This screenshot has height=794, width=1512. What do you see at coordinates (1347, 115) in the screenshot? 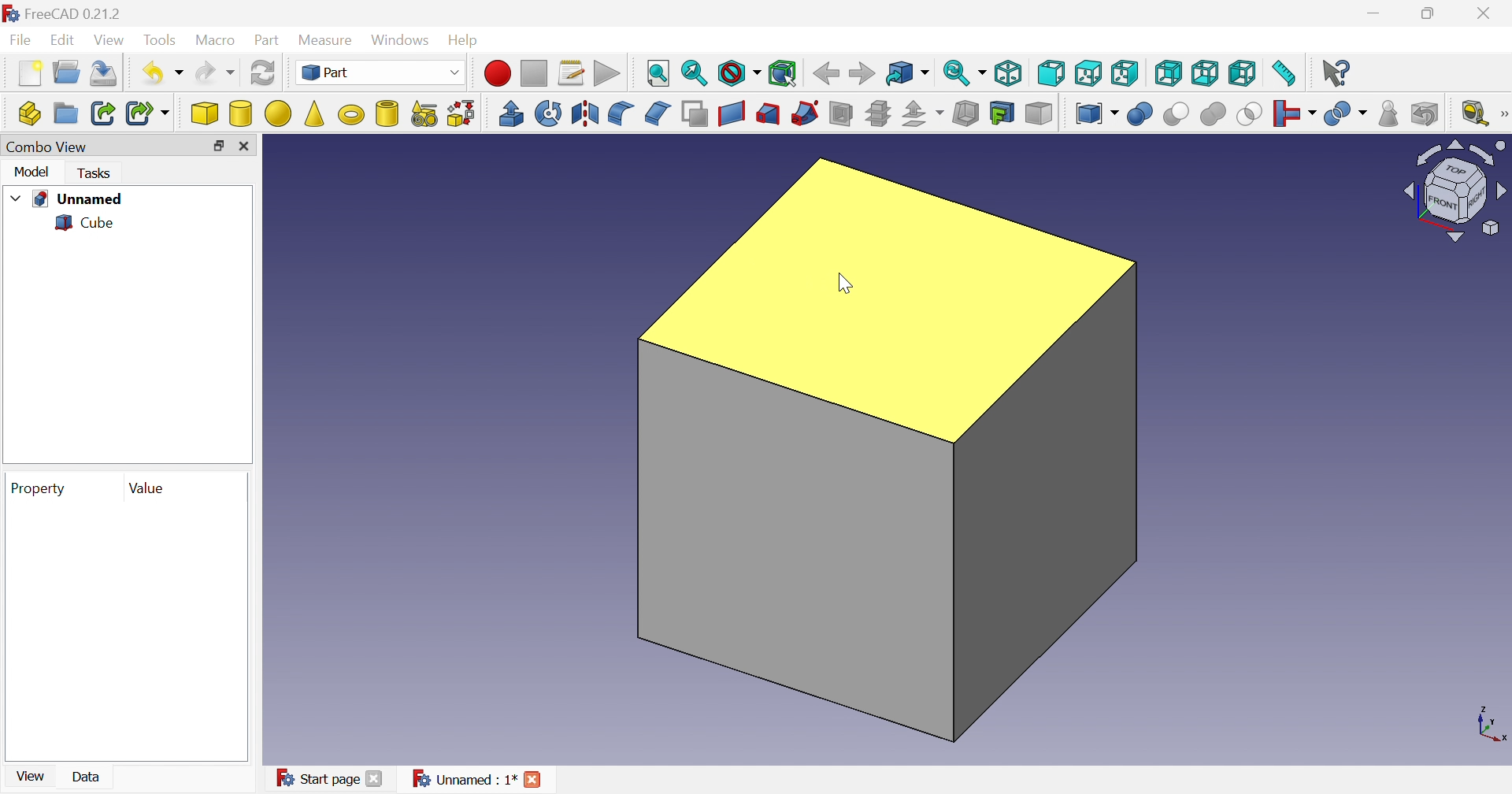
I see `Split objects` at bounding box center [1347, 115].